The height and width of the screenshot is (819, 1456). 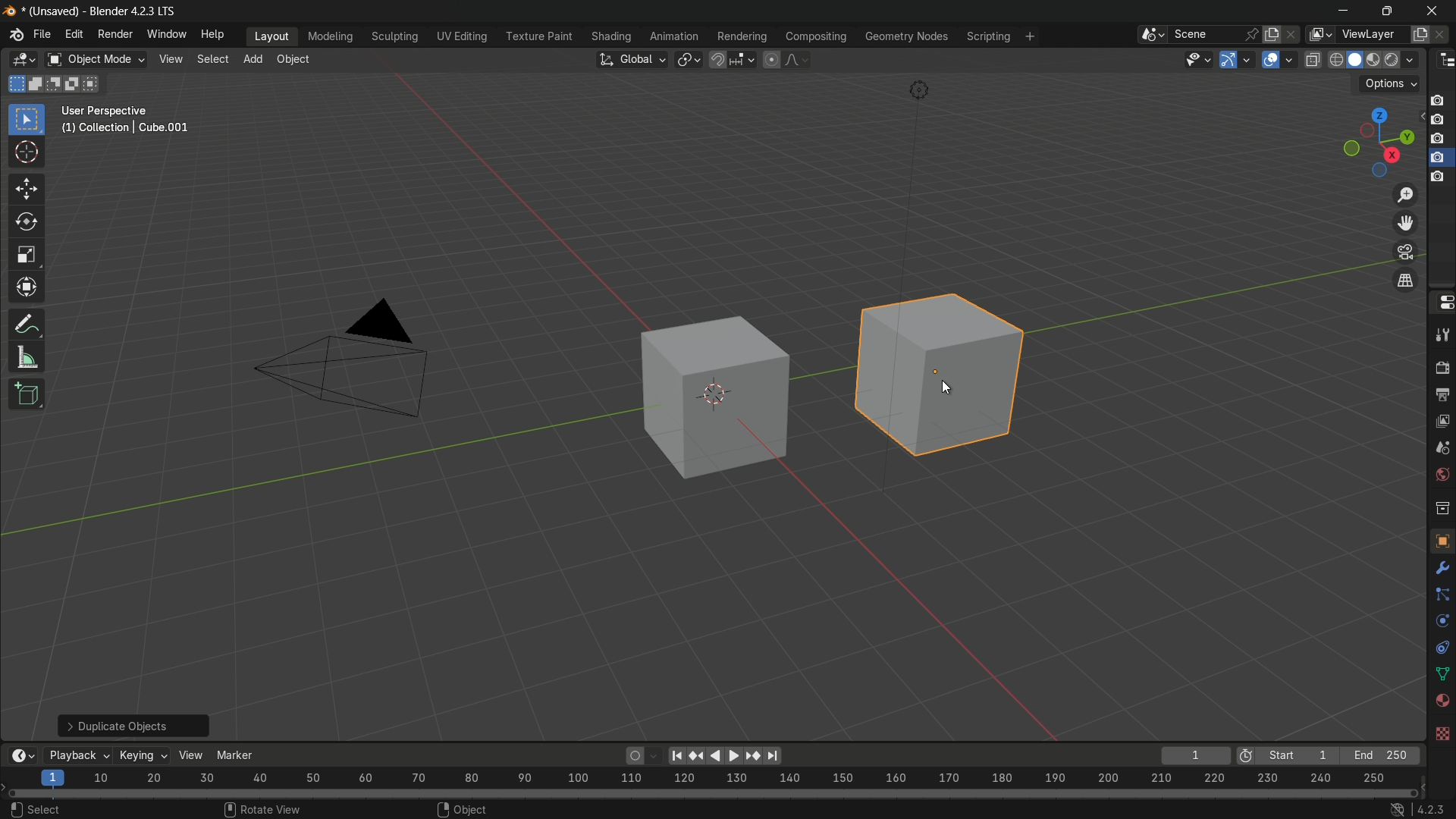 What do you see at coordinates (26, 395) in the screenshot?
I see `add cube` at bounding box center [26, 395].